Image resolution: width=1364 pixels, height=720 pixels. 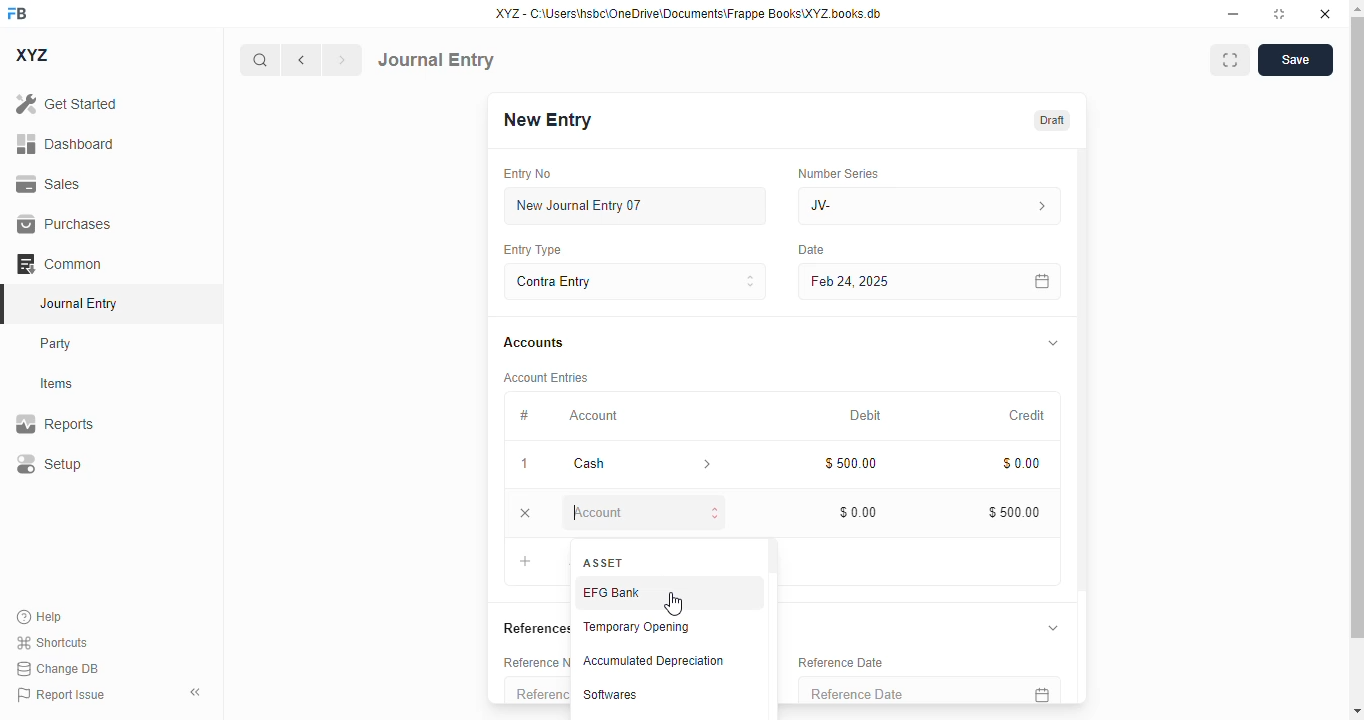 What do you see at coordinates (605, 561) in the screenshot?
I see `asset` at bounding box center [605, 561].